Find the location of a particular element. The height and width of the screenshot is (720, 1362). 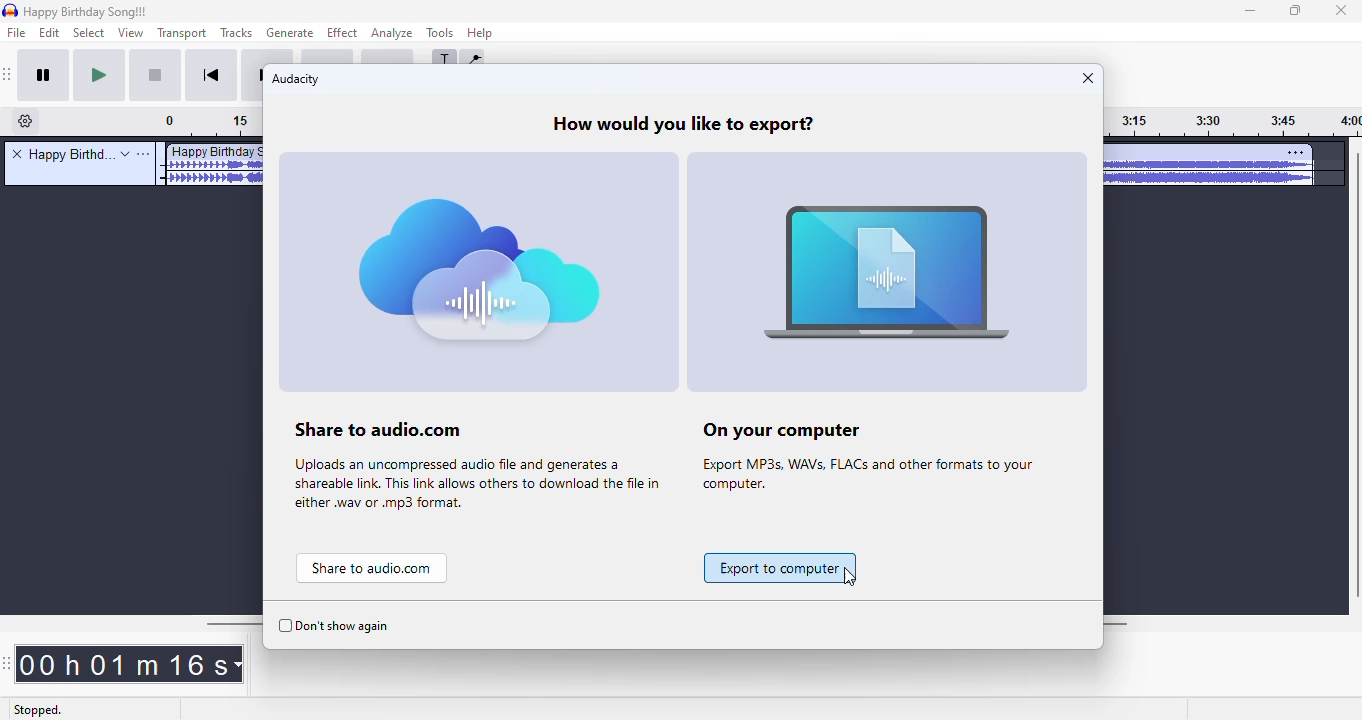

play is located at coordinates (100, 76).